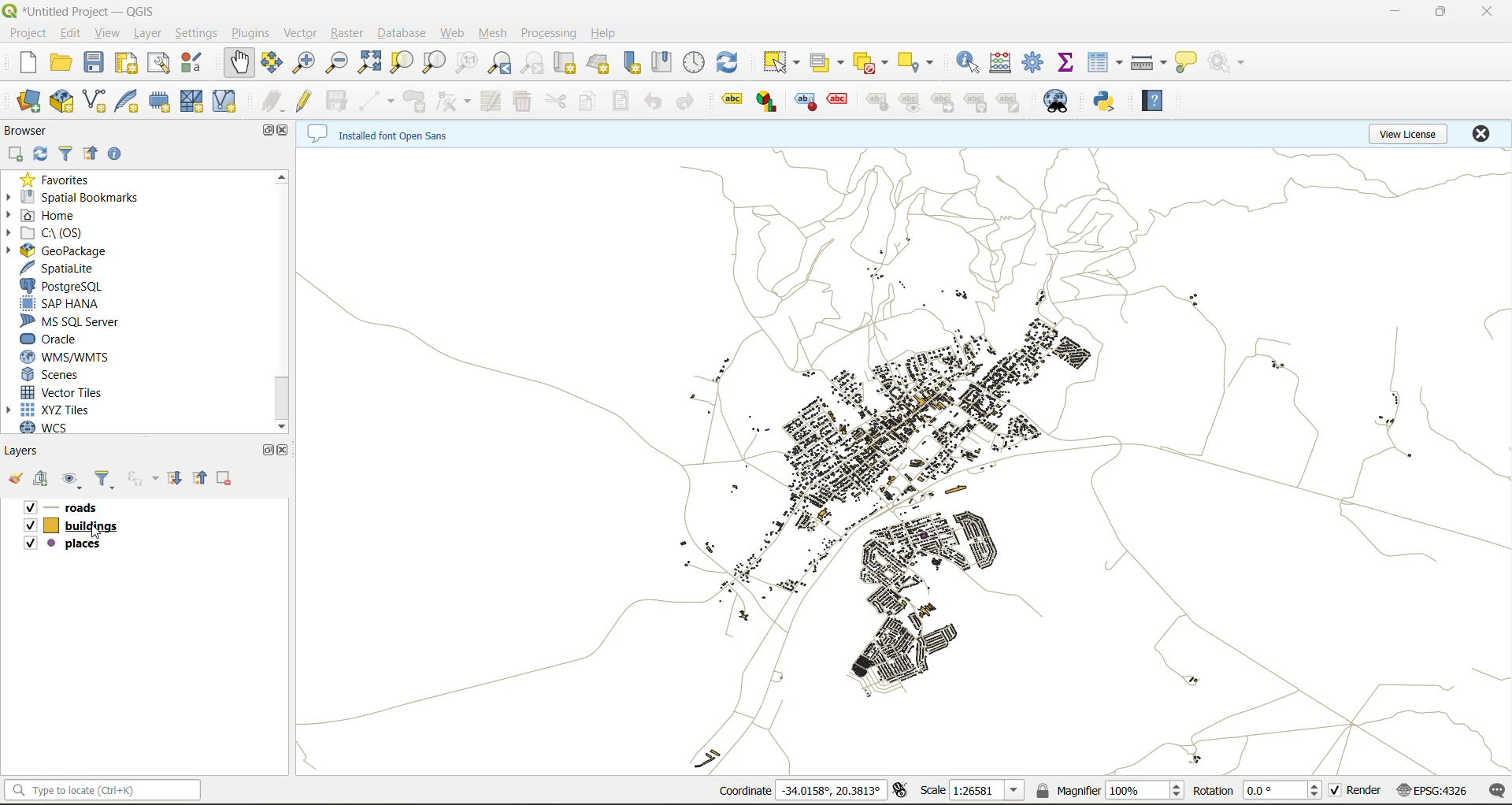 Image resolution: width=1512 pixels, height=805 pixels. What do you see at coordinates (830, 63) in the screenshot?
I see `select value` at bounding box center [830, 63].